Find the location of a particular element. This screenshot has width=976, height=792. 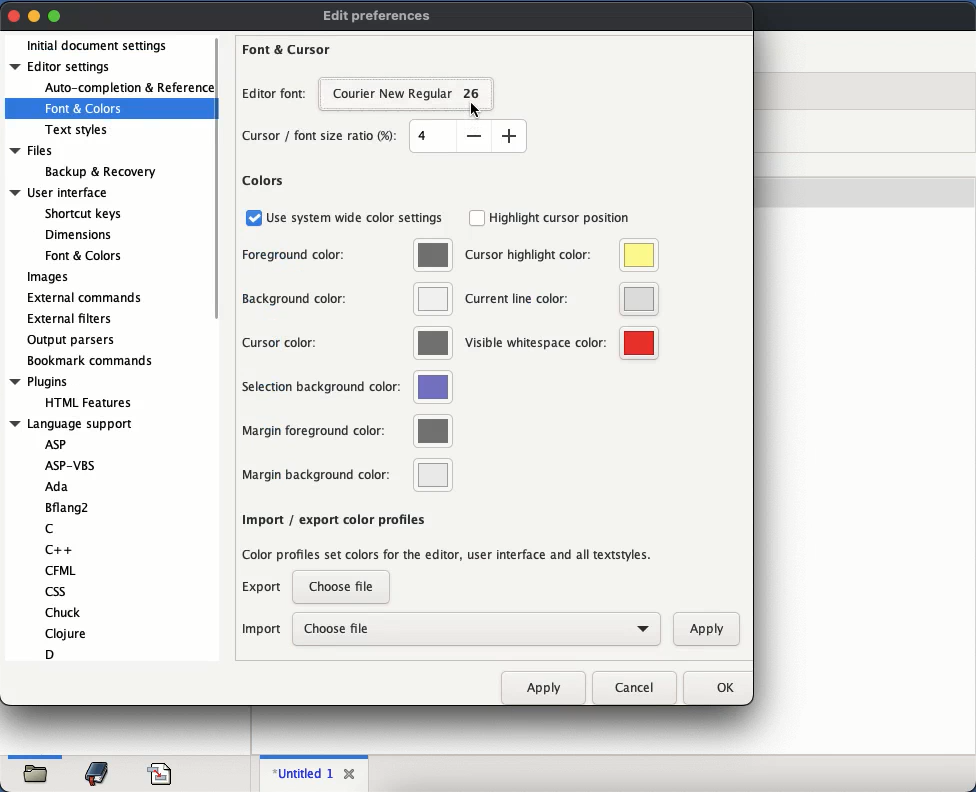

color is located at coordinates (433, 342).